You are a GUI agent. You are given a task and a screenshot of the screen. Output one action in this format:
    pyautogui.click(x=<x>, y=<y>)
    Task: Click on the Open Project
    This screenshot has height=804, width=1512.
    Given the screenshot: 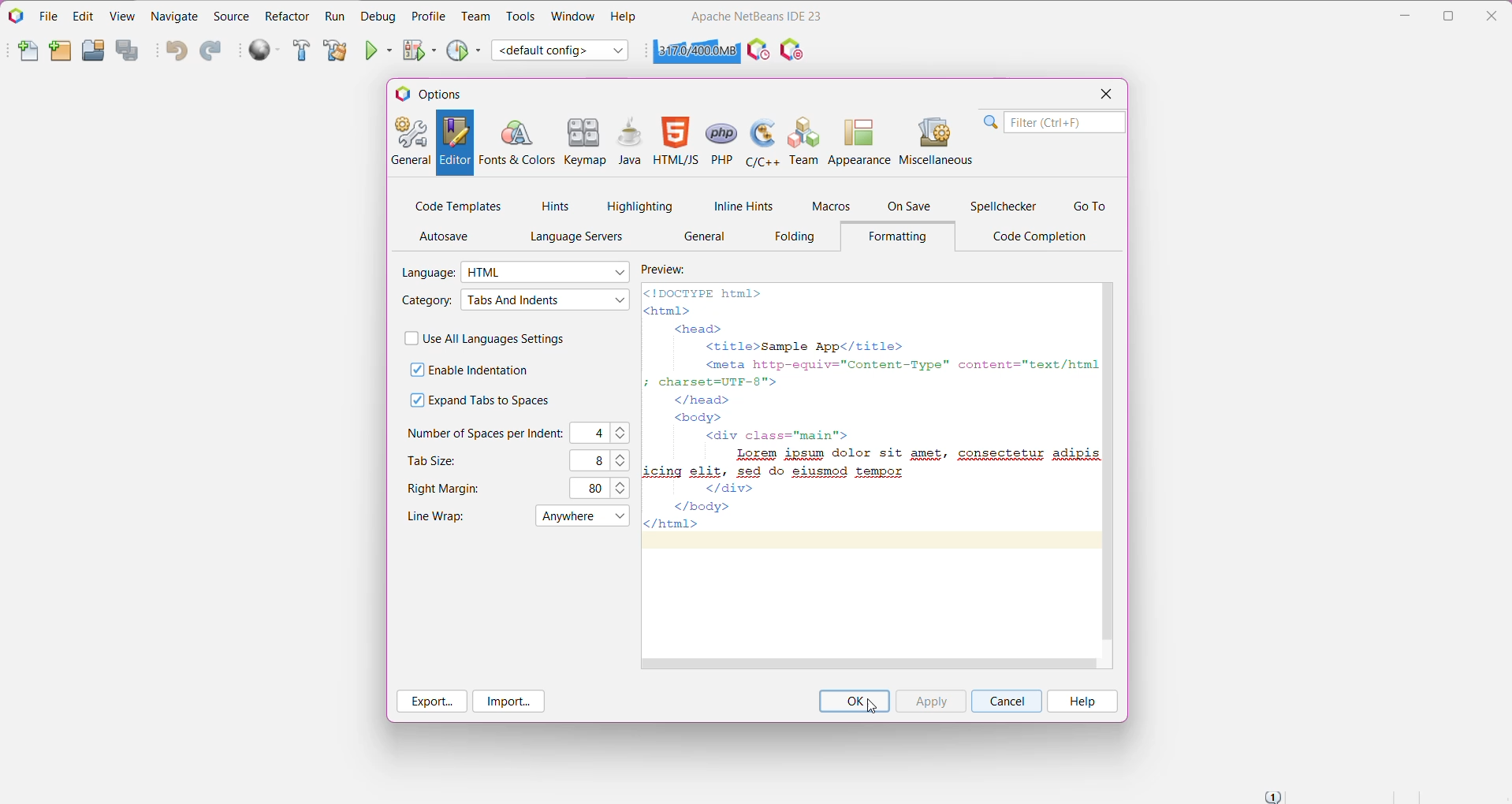 What is the action you would take?
    pyautogui.click(x=92, y=50)
    